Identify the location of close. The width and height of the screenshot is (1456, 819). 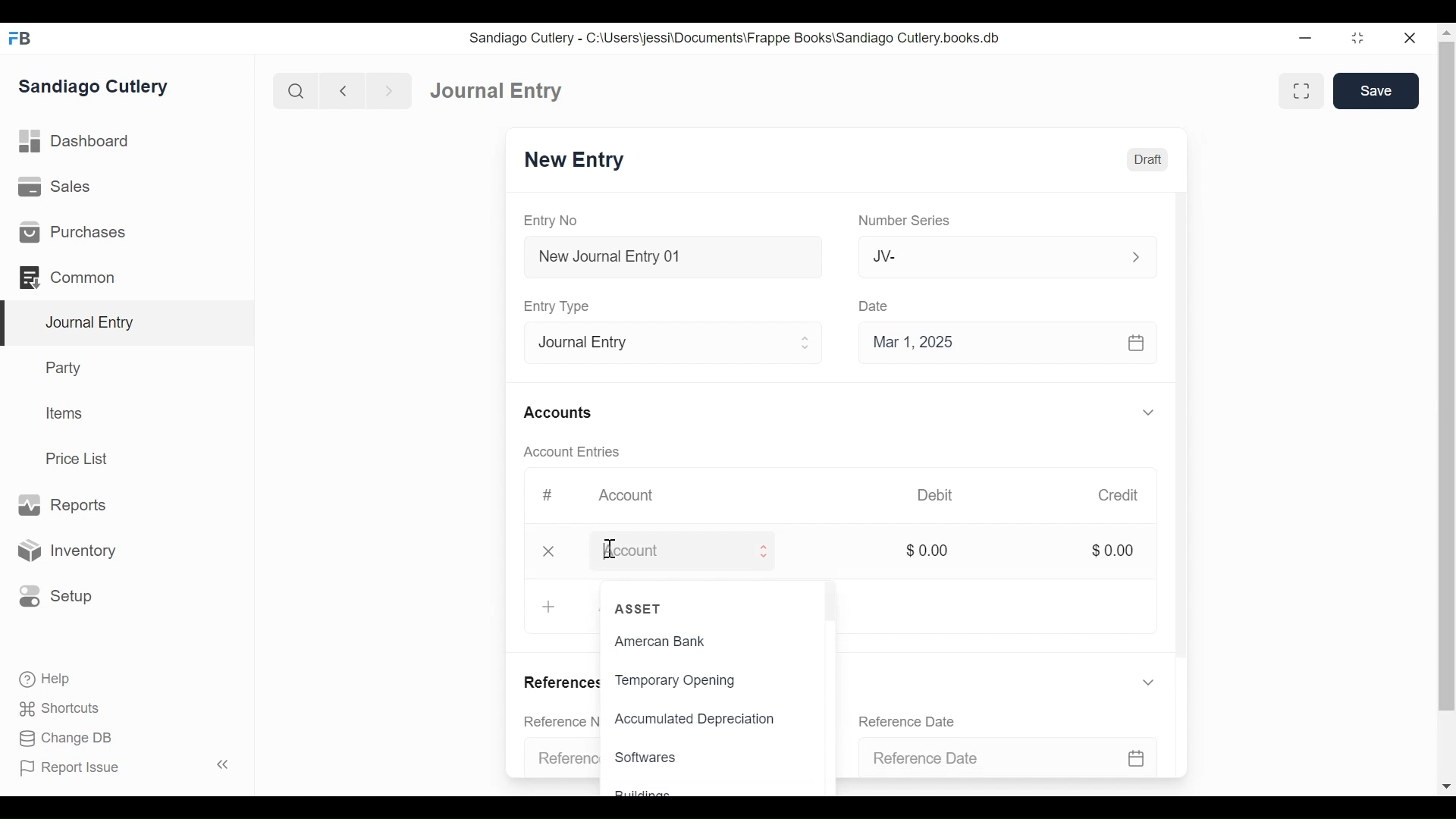
(1407, 37).